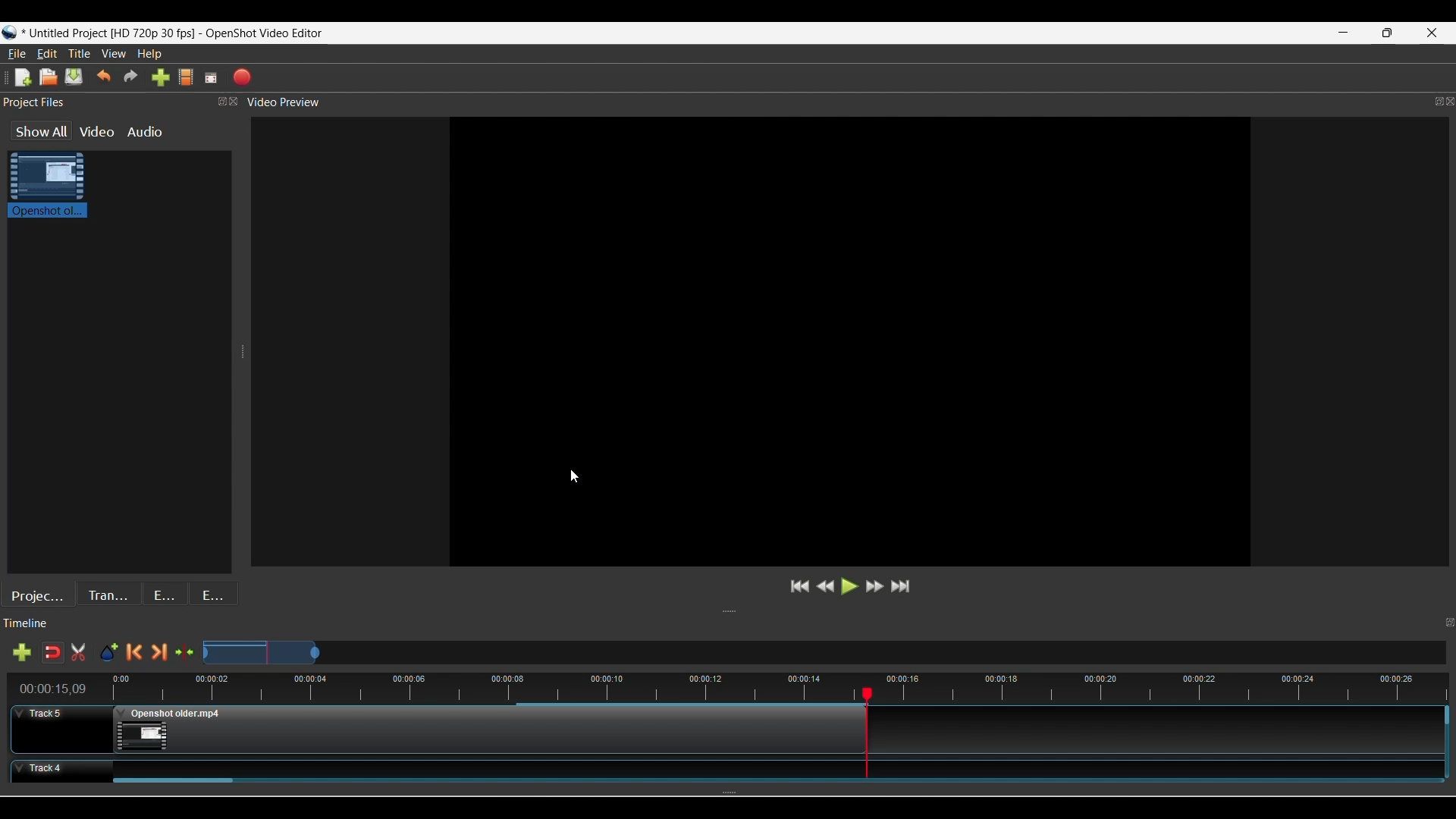 This screenshot has height=819, width=1456. What do you see at coordinates (851, 586) in the screenshot?
I see `Play` at bounding box center [851, 586].